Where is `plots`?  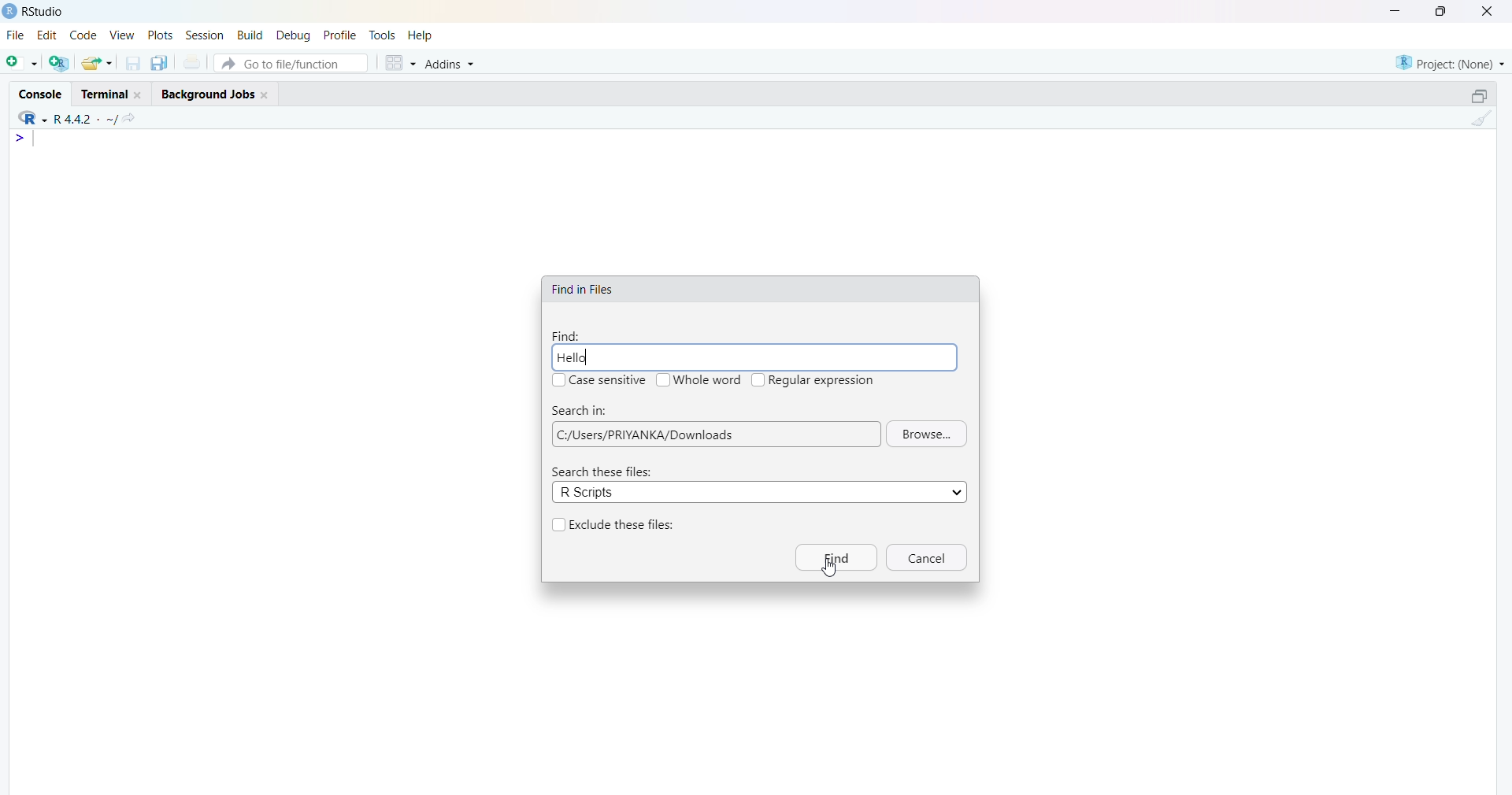 plots is located at coordinates (160, 34).